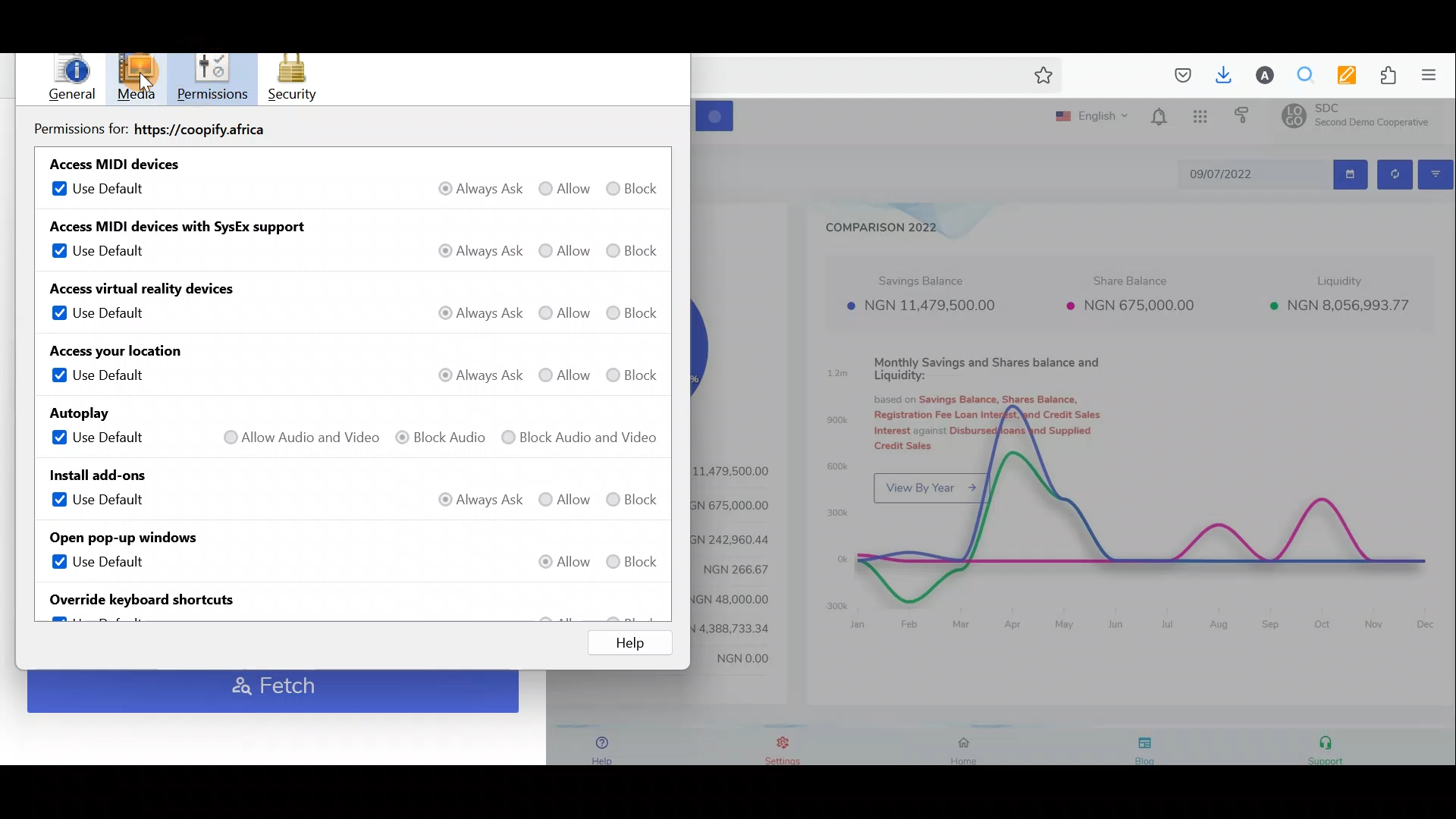  Describe the element at coordinates (565, 251) in the screenshot. I see `Allow` at that location.